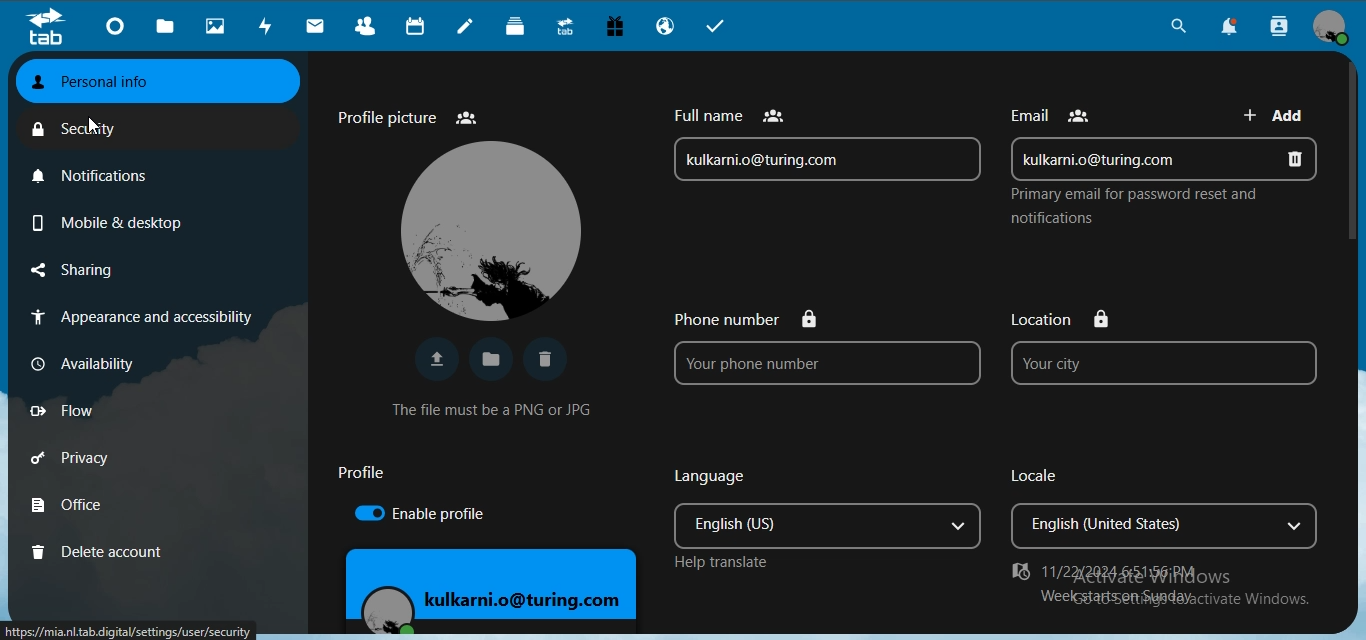 The image size is (1366, 640). Describe the element at coordinates (1122, 573) in the screenshot. I see `date and time` at that location.